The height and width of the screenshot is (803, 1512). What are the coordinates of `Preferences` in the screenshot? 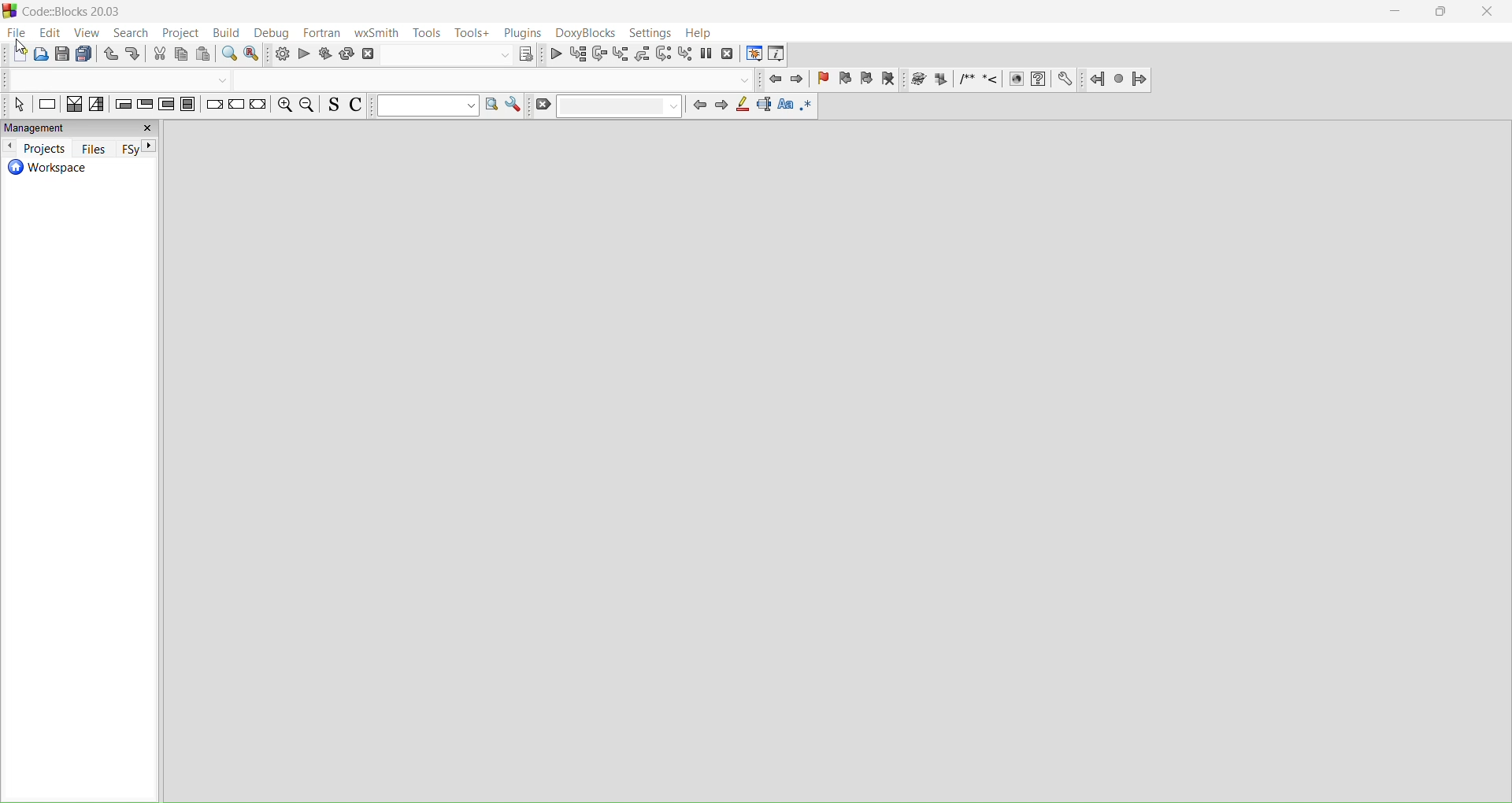 It's located at (1066, 79).